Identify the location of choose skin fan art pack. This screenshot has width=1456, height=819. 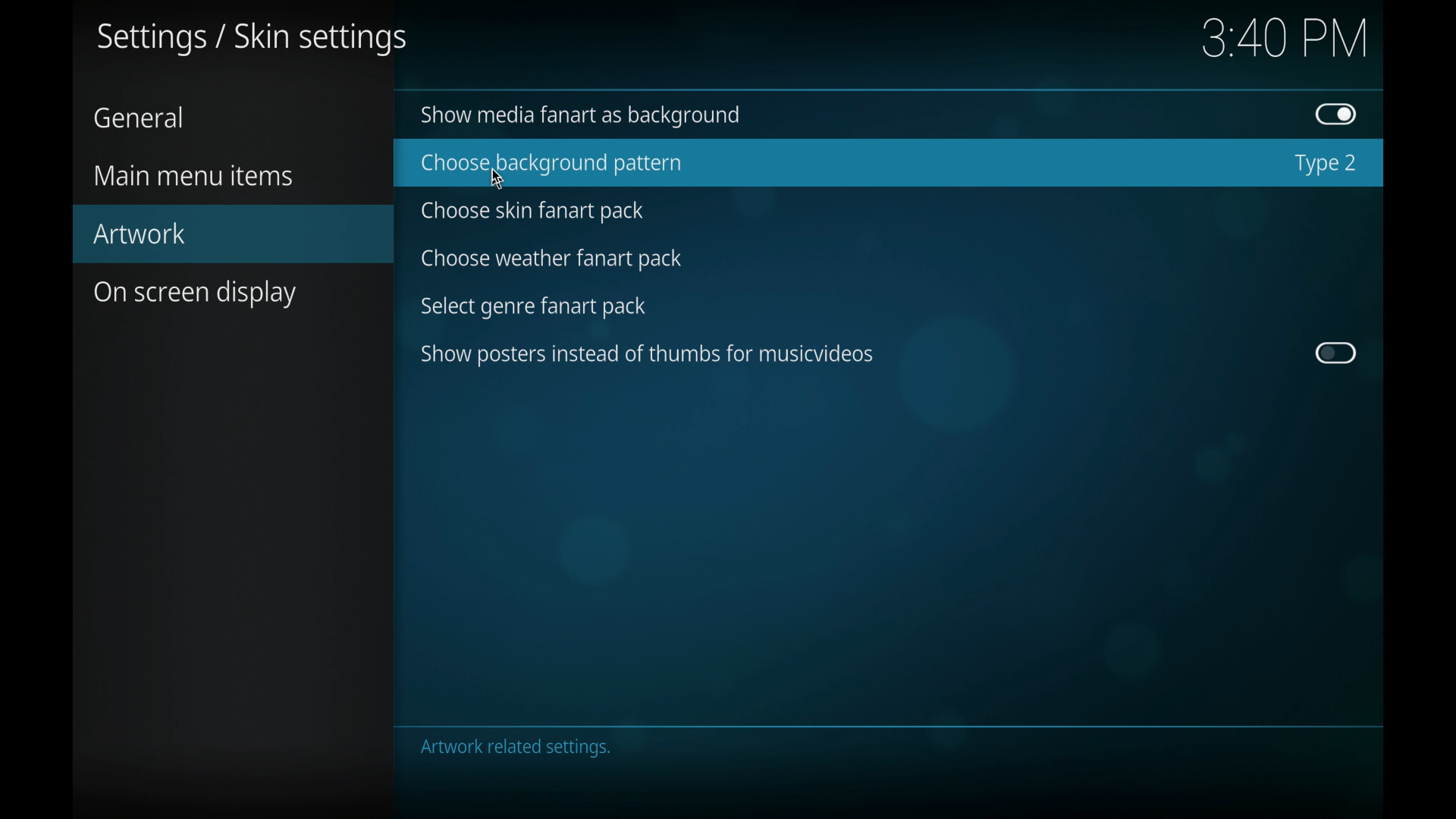
(538, 210).